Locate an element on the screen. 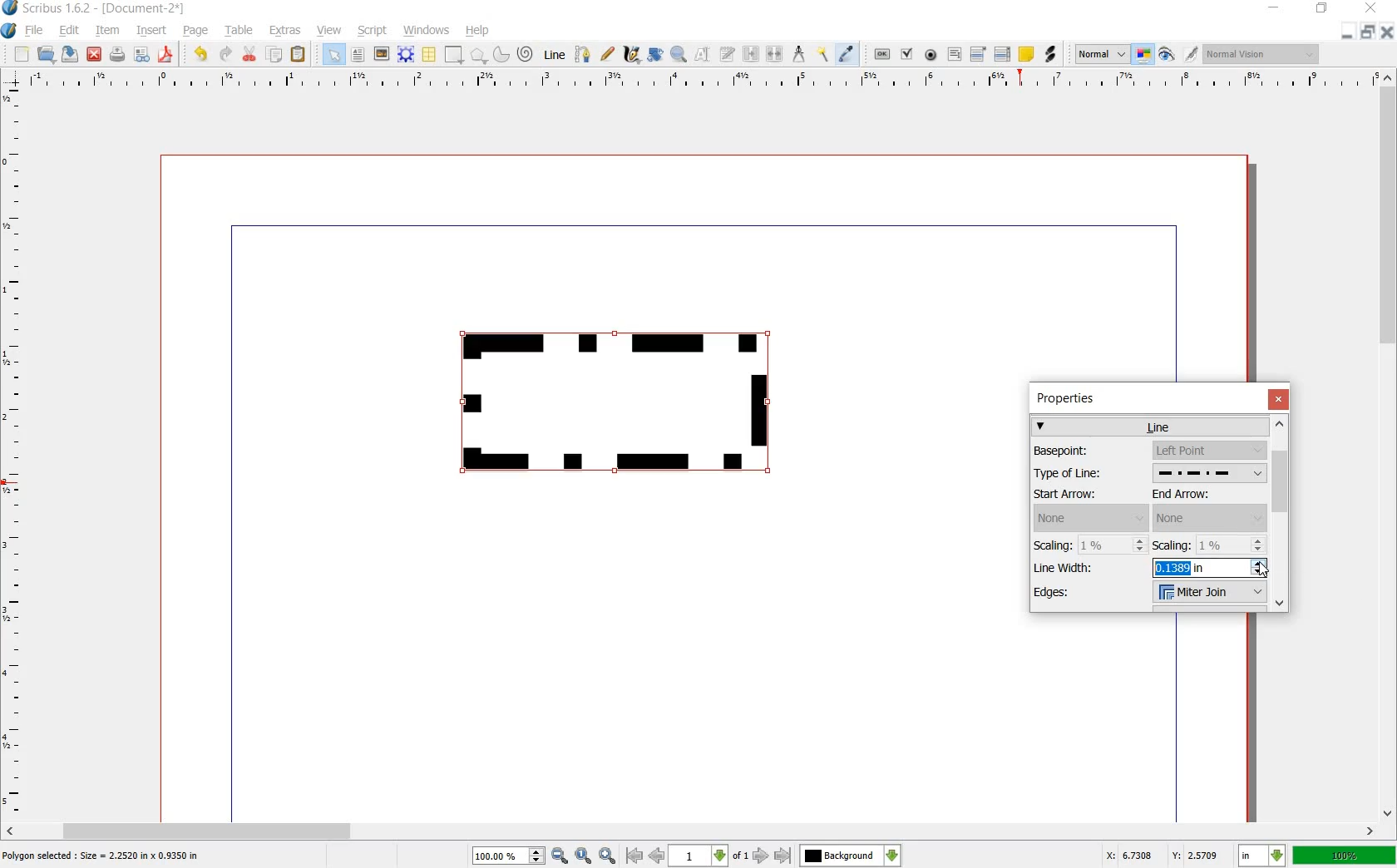  OPEN is located at coordinates (47, 55).